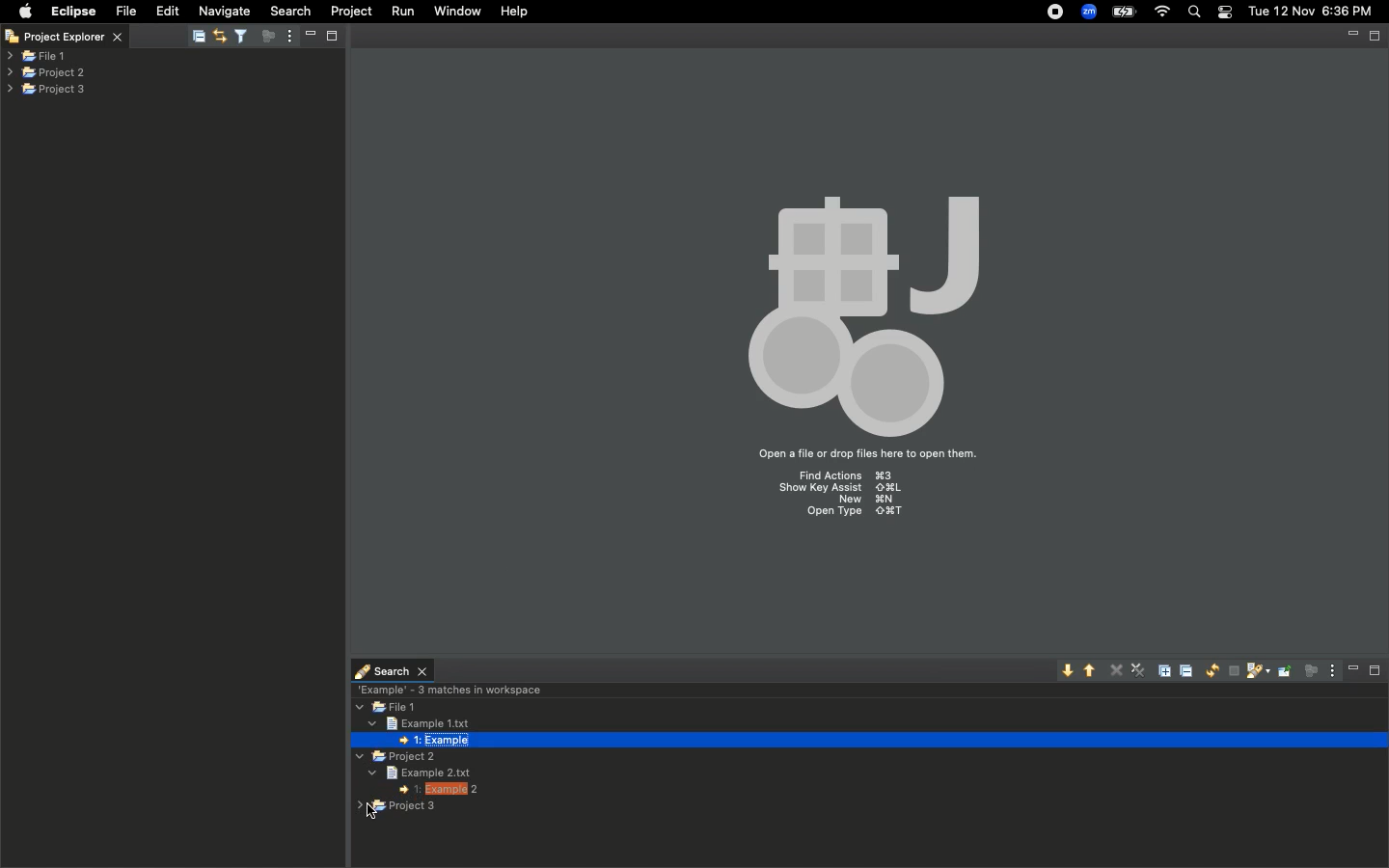 This screenshot has width=1389, height=868. Describe the element at coordinates (1067, 671) in the screenshot. I see `Show next match` at that location.